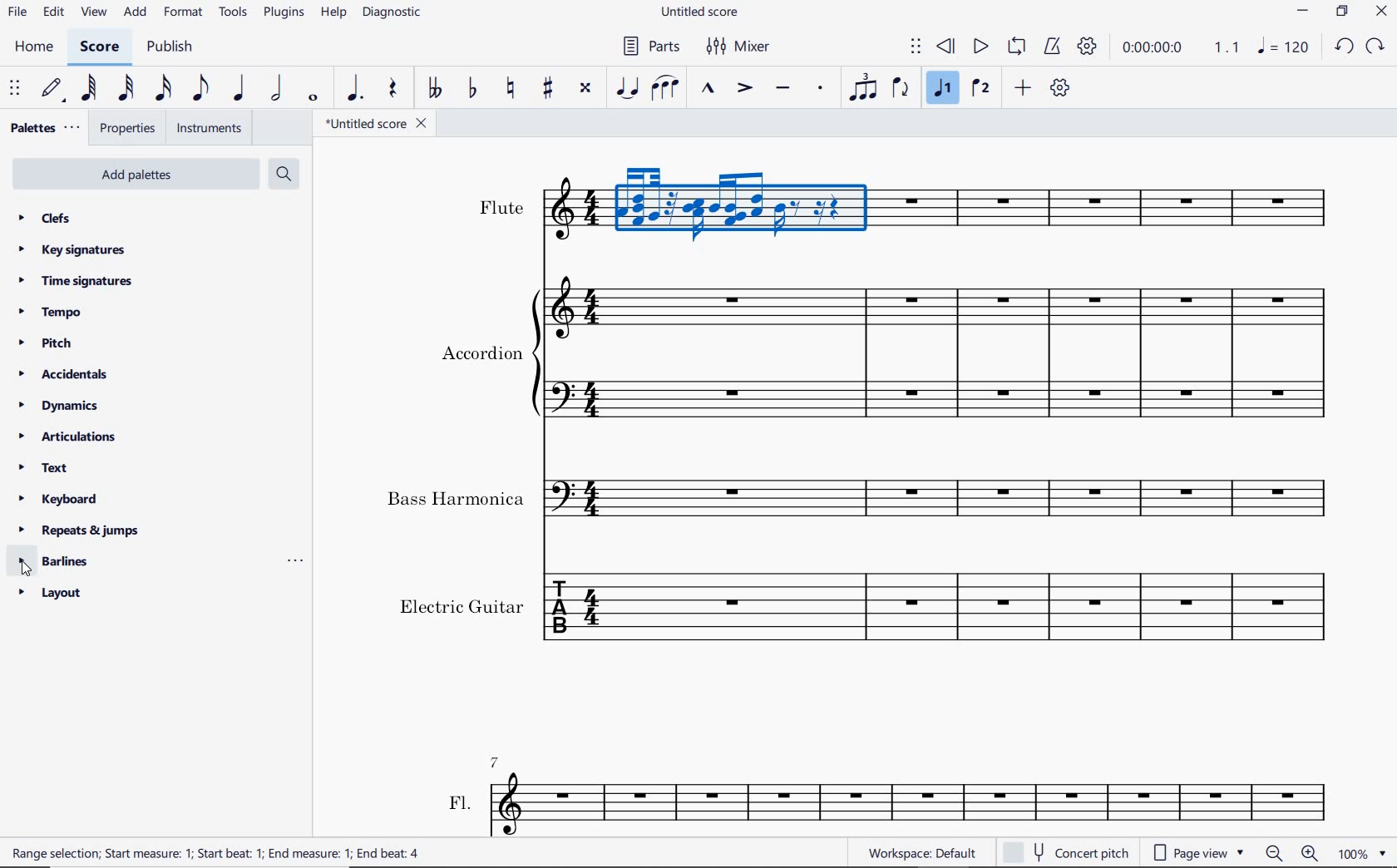 This screenshot has height=868, width=1397. What do you see at coordinates (627, 86) in the screenshot?
I see `tie` at bounding box center [627, 86].